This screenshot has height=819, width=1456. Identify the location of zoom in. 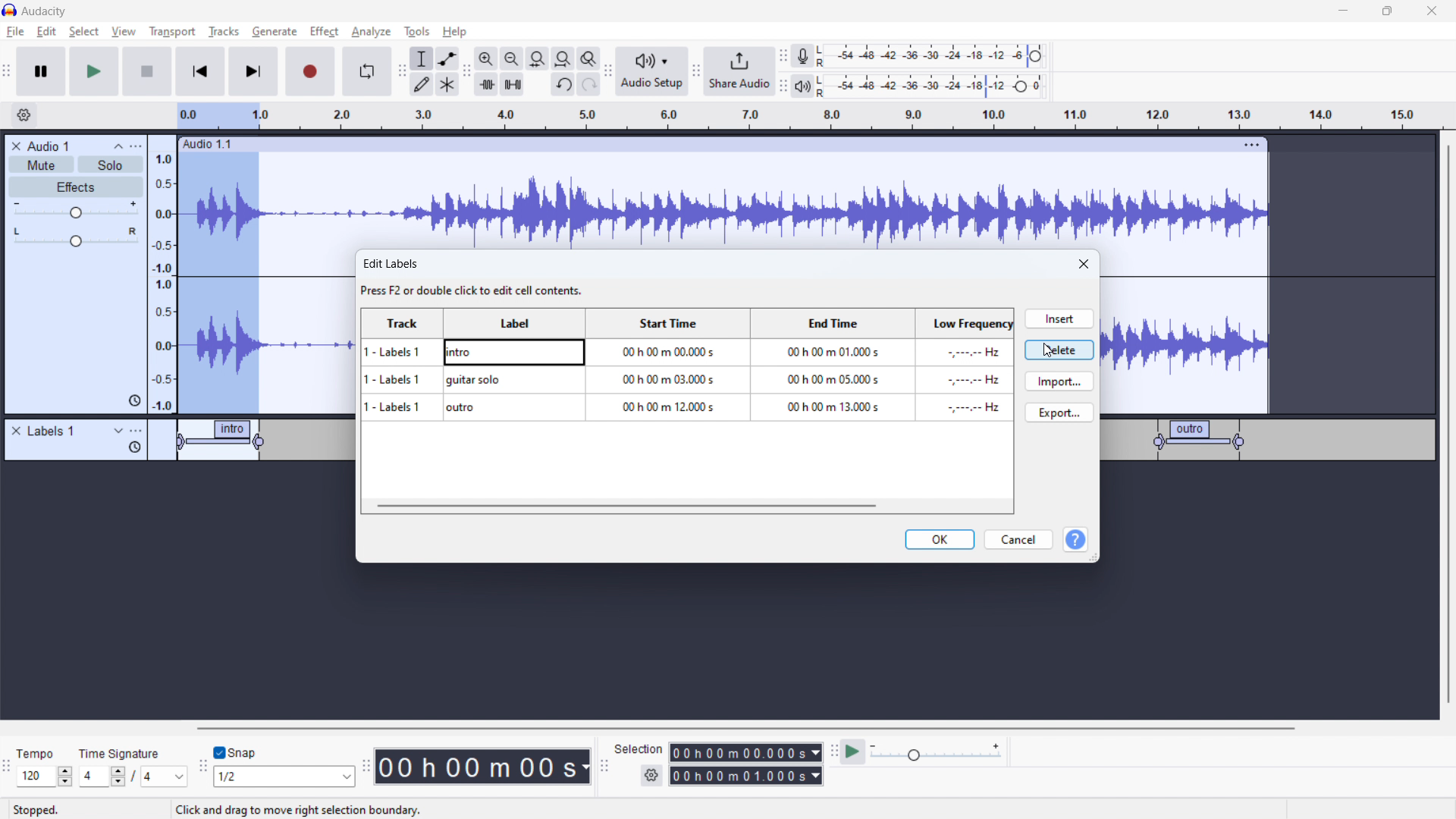
(486, 58).